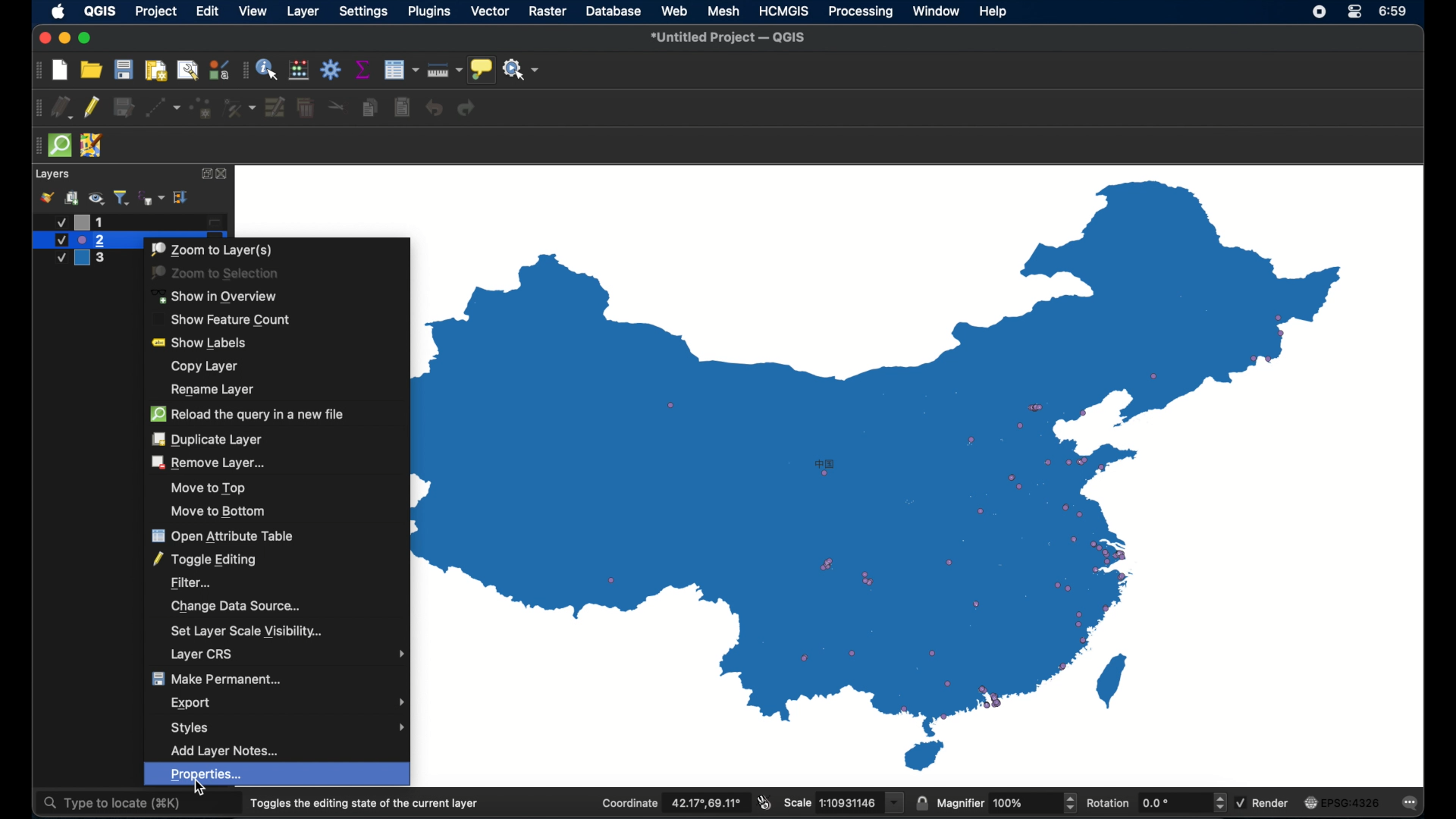 This screenshot has height=819, width=1456. What do you see at coordinates (901, 484) in the screenshot?
I see `boundary  map of  china with point data` at bounding box center [901, 484].